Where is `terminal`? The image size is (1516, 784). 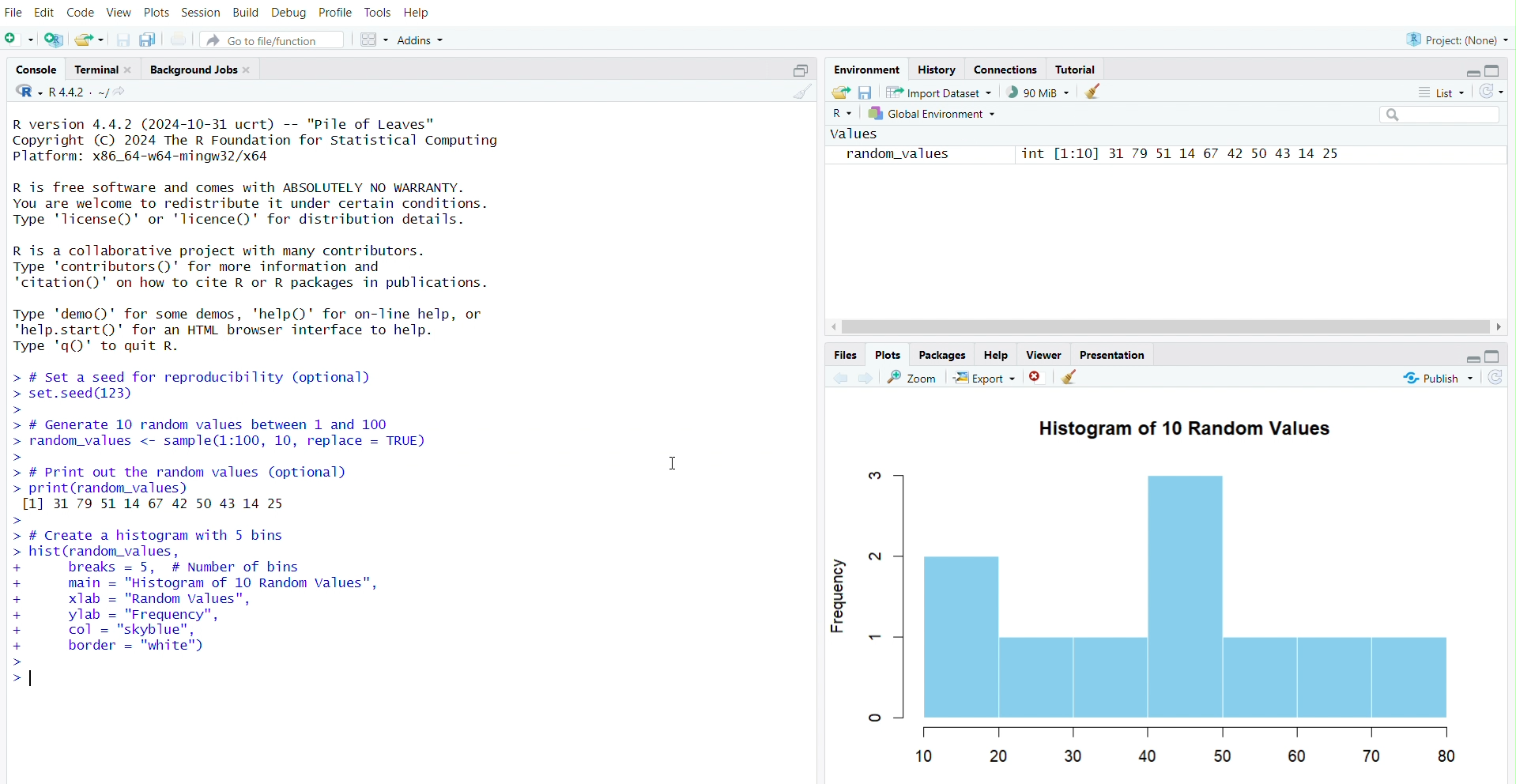
terminal is located at coordinates (92, 68).